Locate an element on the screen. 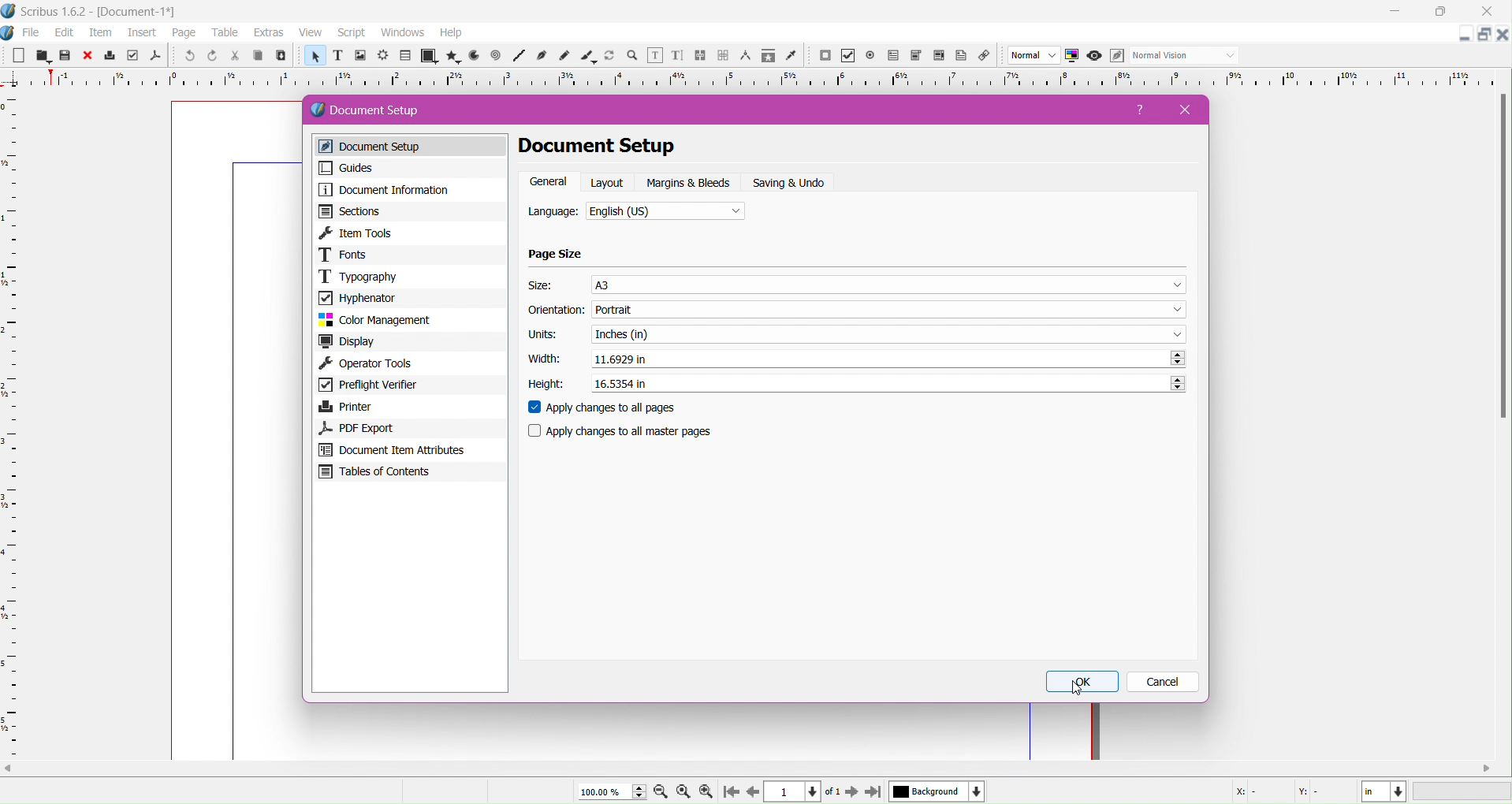  Operator Tools is located at coordinates (411, 364).